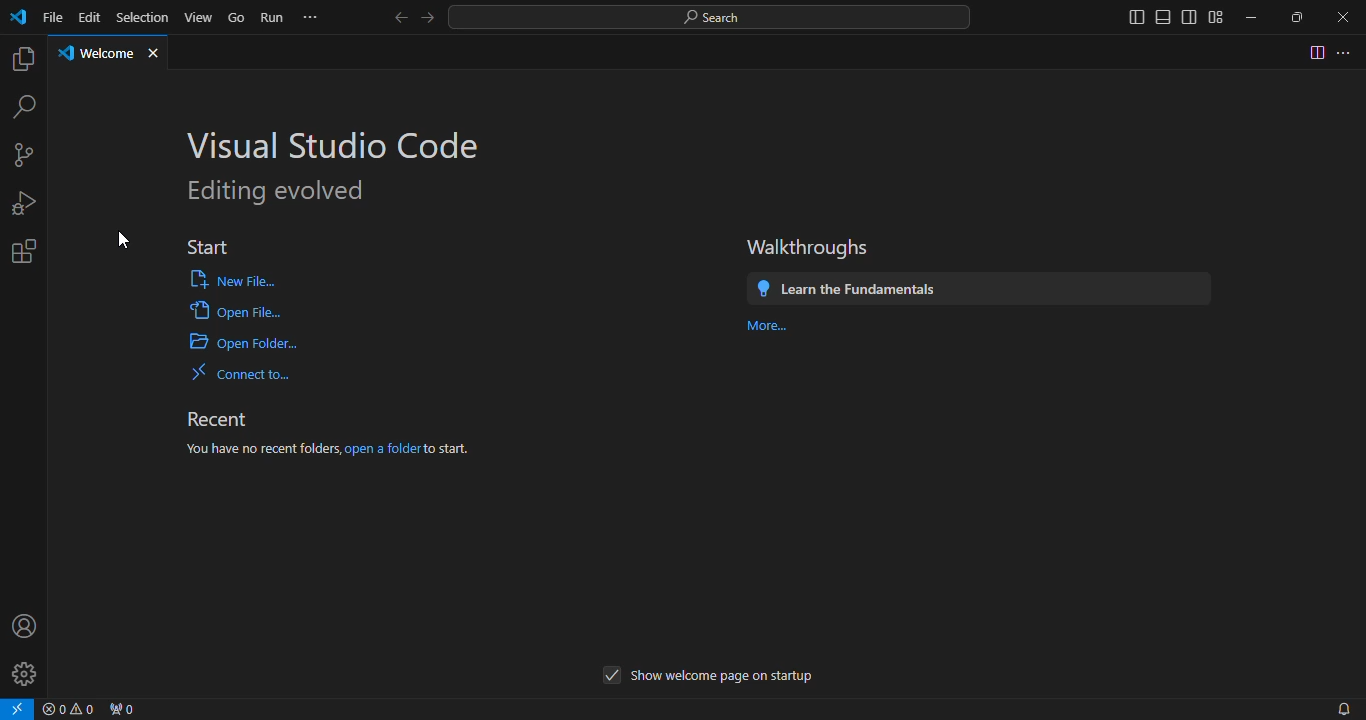 The height and width of the screenshot is (720, 1366). Describe the element at coordinates (225, 418) in the screenshot. I see `recent` at that location.